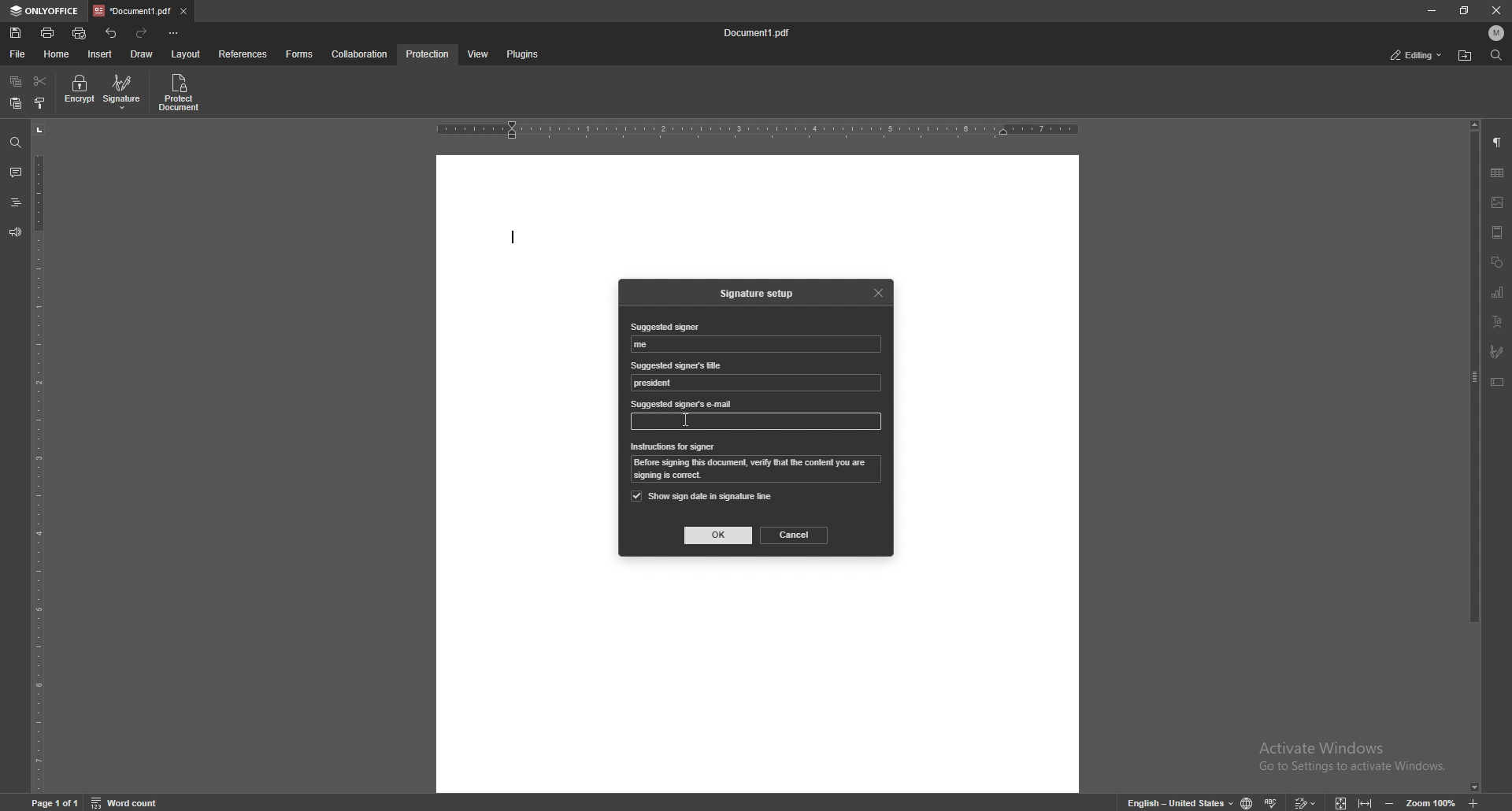 This screenshot has width=1512, height=811. I want to click on onlyoffice, so click(46, 11).